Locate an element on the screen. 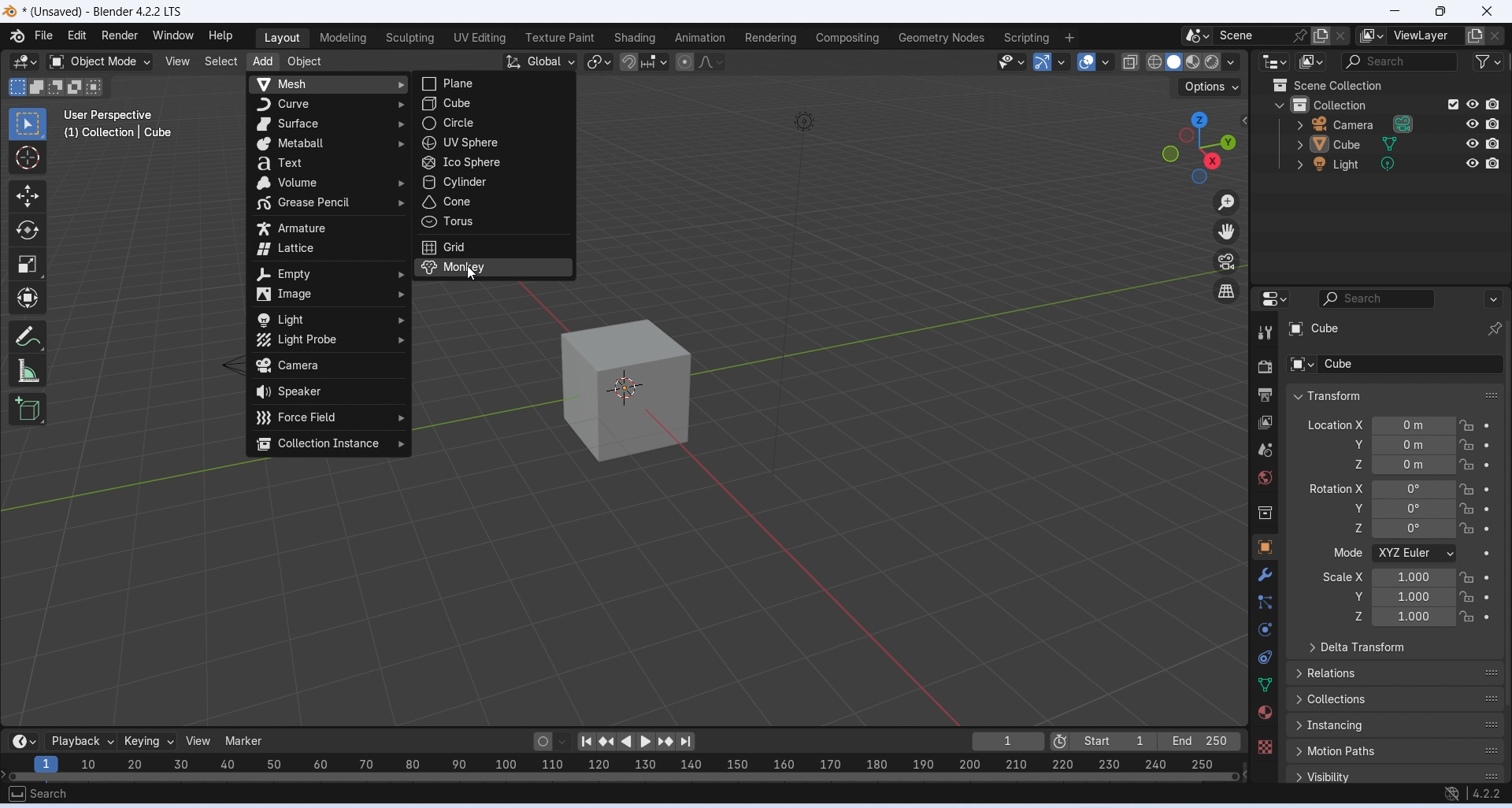 The width and height of the screenshot is (1512, 808). editor type is located at coordinates (24, 63).